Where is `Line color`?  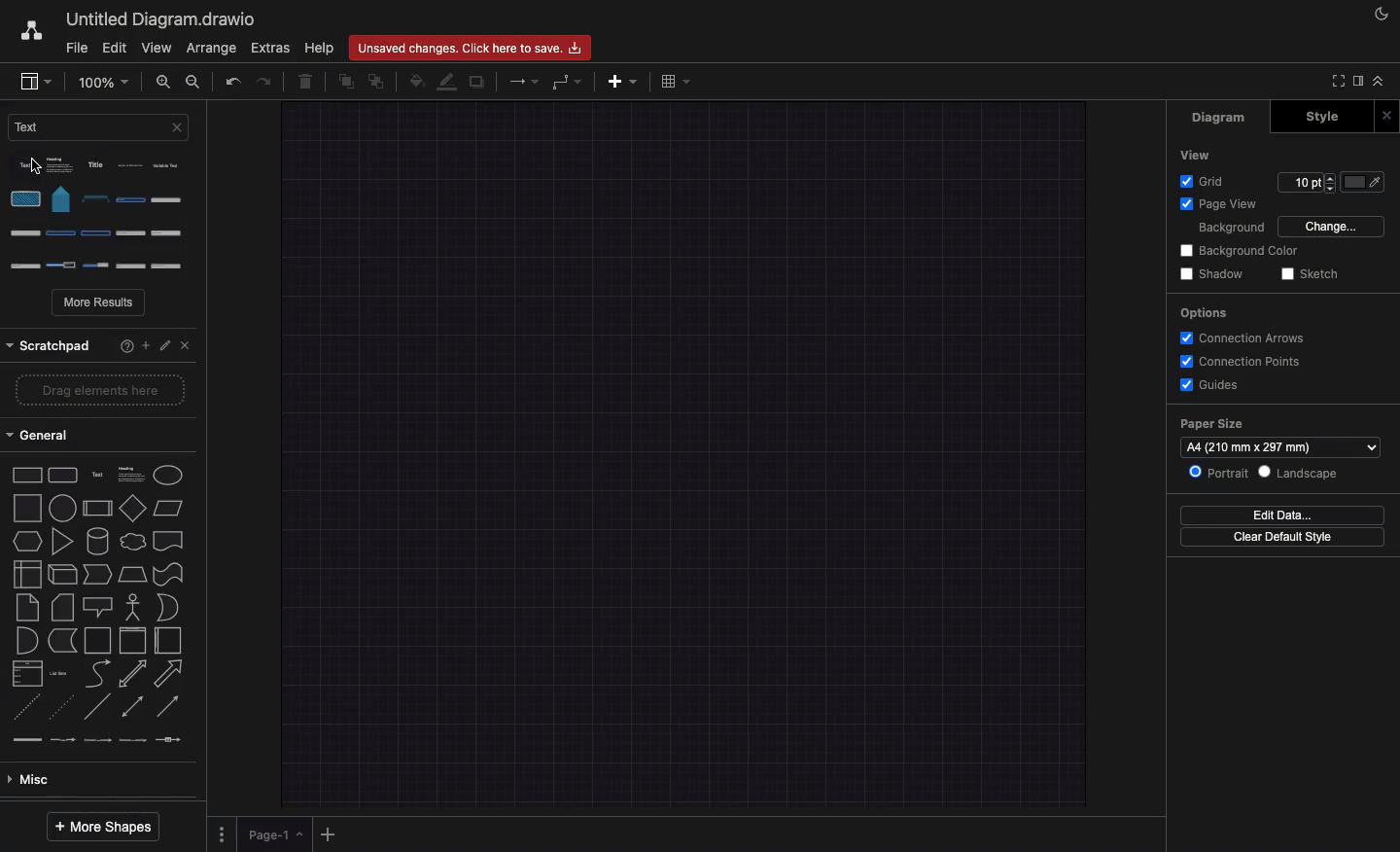 Line color is located at coordinates (448, 83).